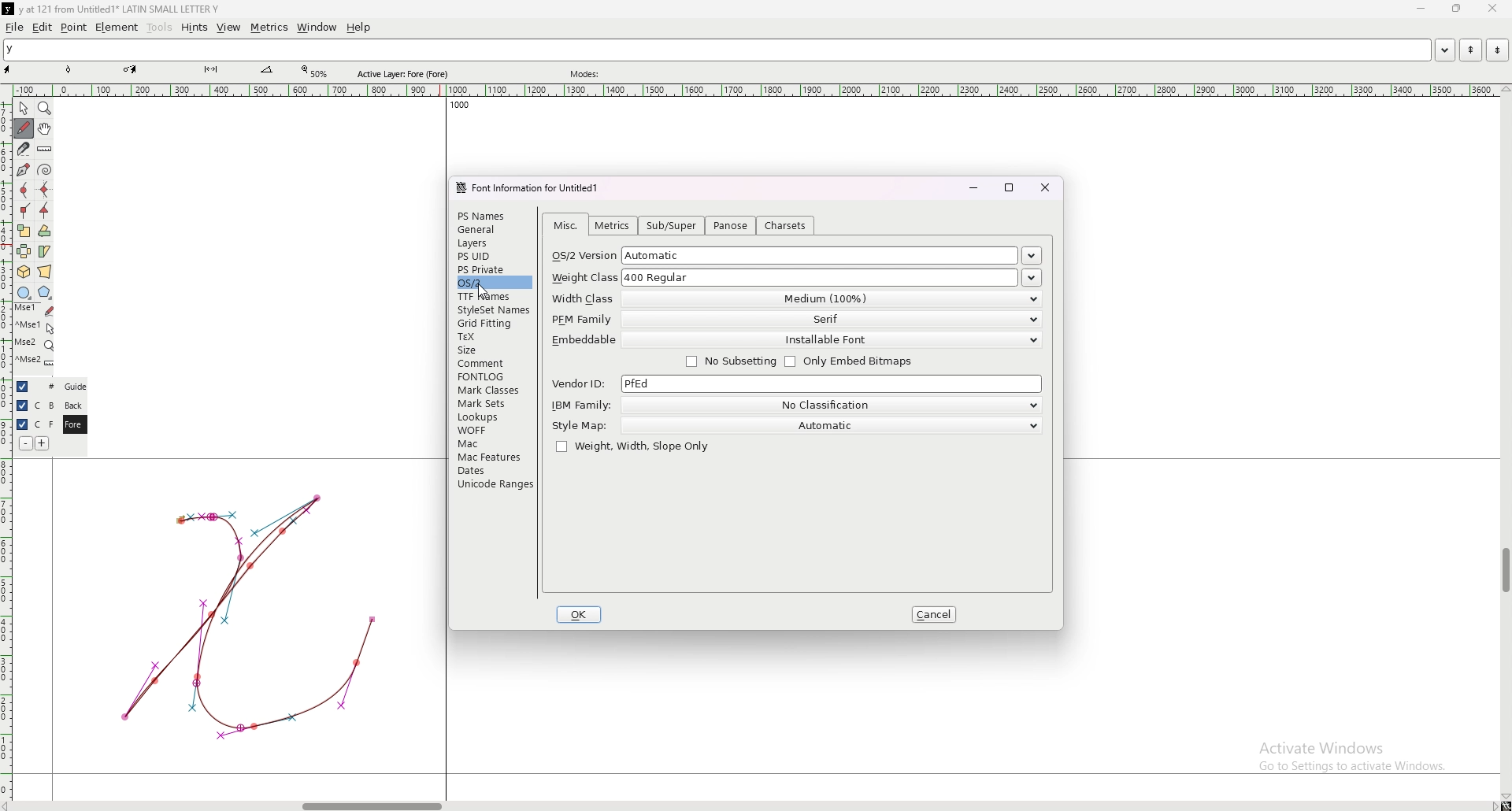 The width and height of the screenshot is (1512, 811). What do you see at coordinates (491, 417) in the screenshot?
I see `lookups` at bounding box center [491, 417].